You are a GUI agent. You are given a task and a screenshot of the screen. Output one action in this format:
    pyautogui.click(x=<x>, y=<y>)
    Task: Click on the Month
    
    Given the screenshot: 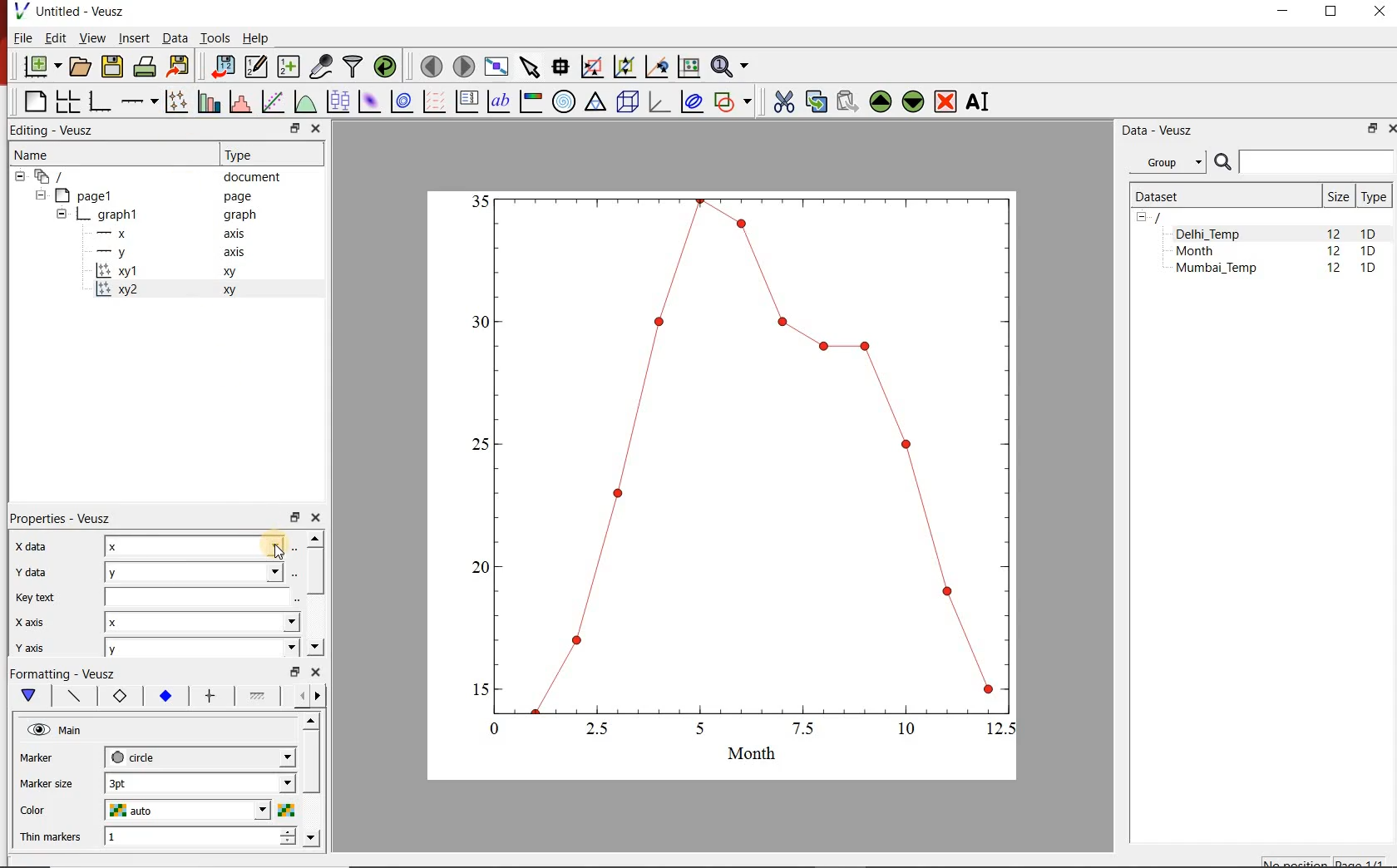 What is the action you would take?
    pyautogui.click(x=1207, y=251)
    